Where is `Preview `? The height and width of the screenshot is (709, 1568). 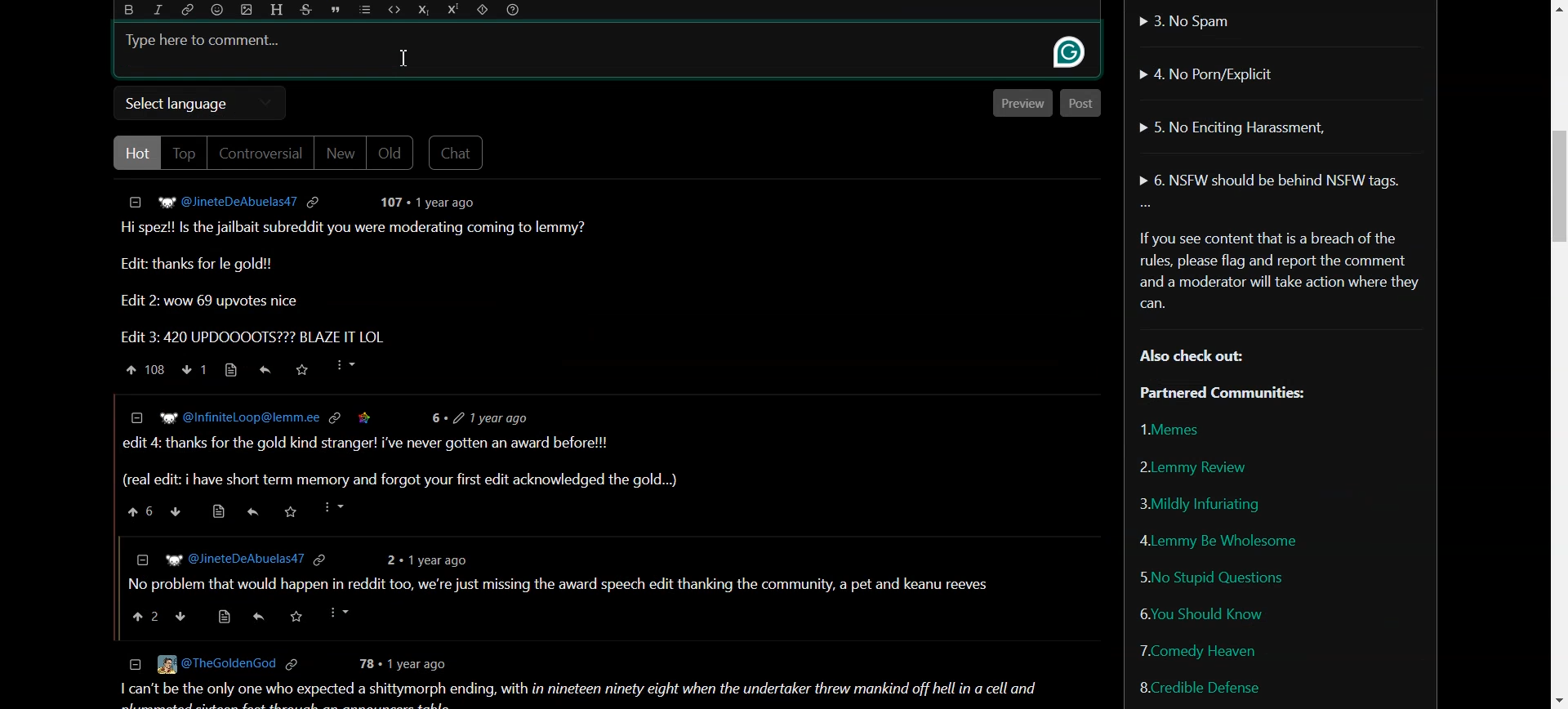 Preview  is located at coordinates (1022, 103).